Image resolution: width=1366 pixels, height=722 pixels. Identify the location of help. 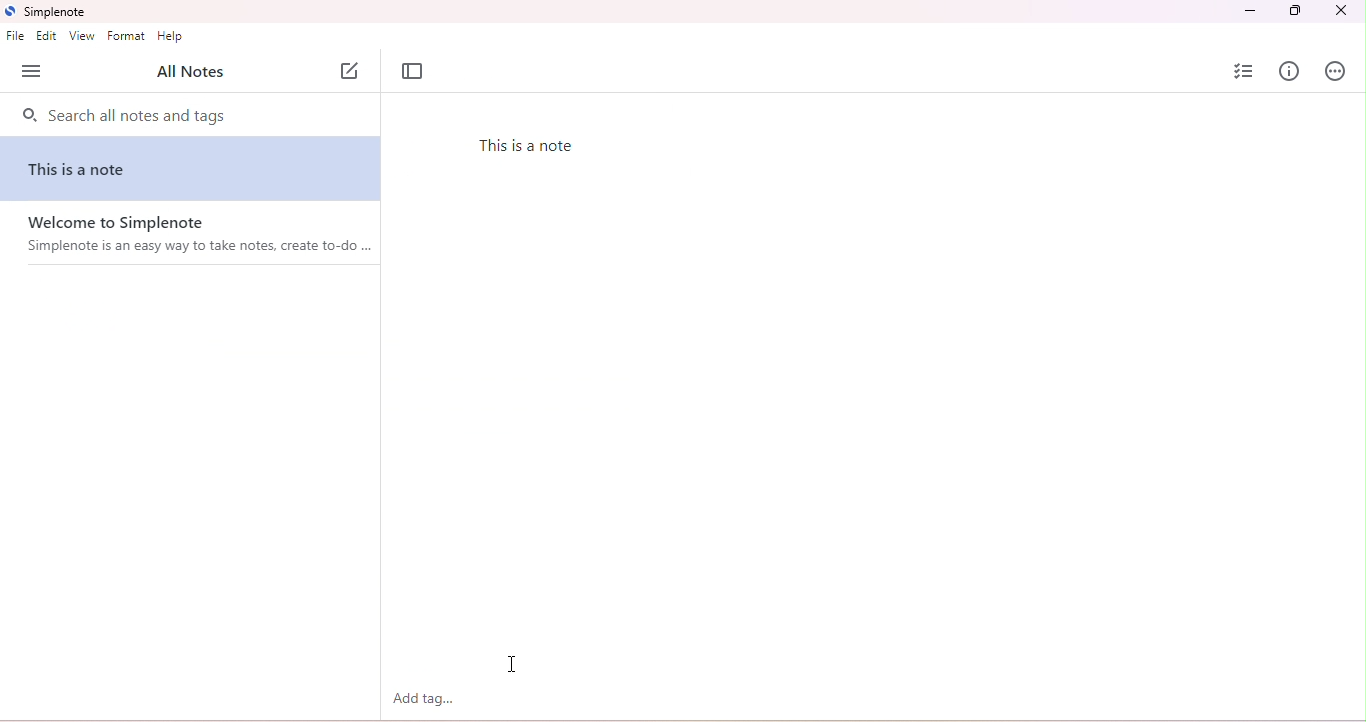
(172, 37).